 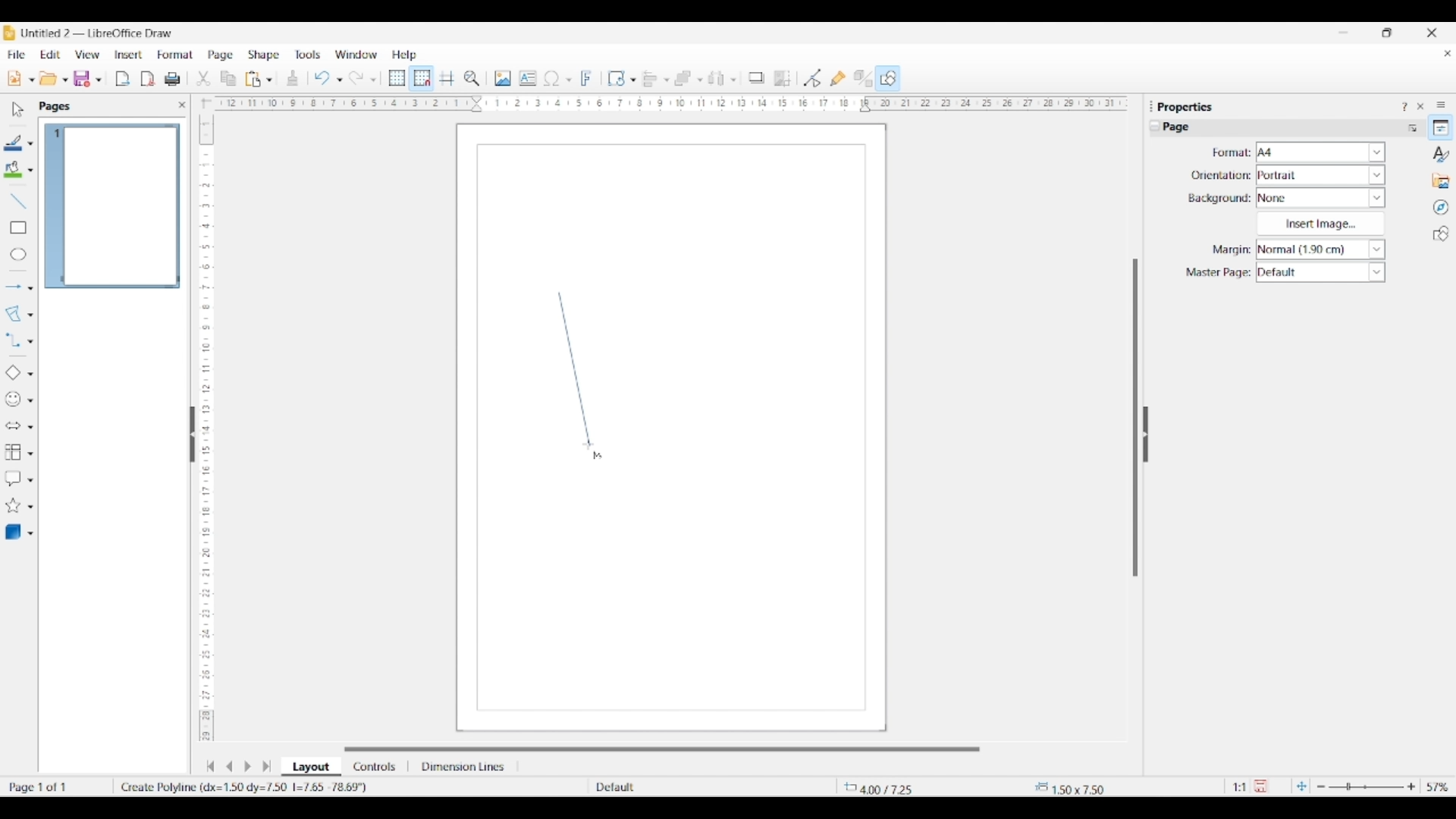 What do you see at coordinates (13, 532) in the screenshot?
I see `Selected 3D object` at bounding box center [13, 532].